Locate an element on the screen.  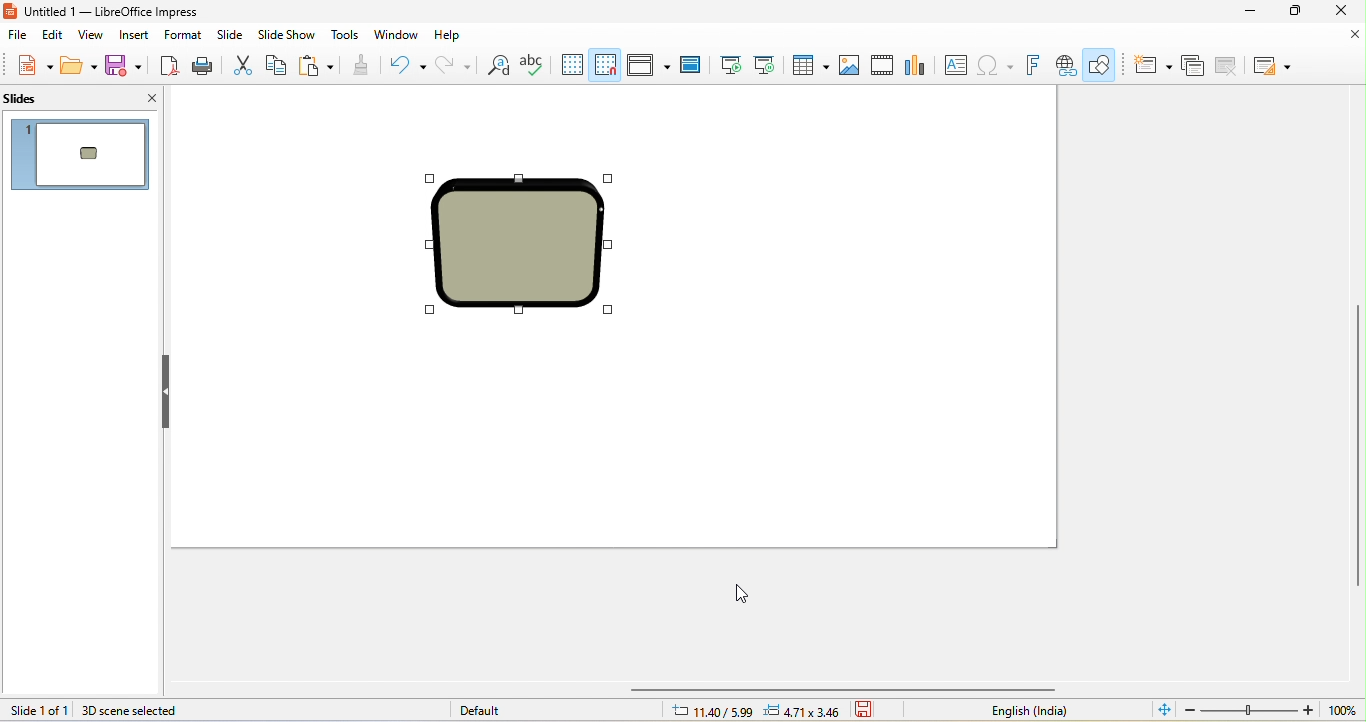
3d scene selected is located at coordinates (146, 711).